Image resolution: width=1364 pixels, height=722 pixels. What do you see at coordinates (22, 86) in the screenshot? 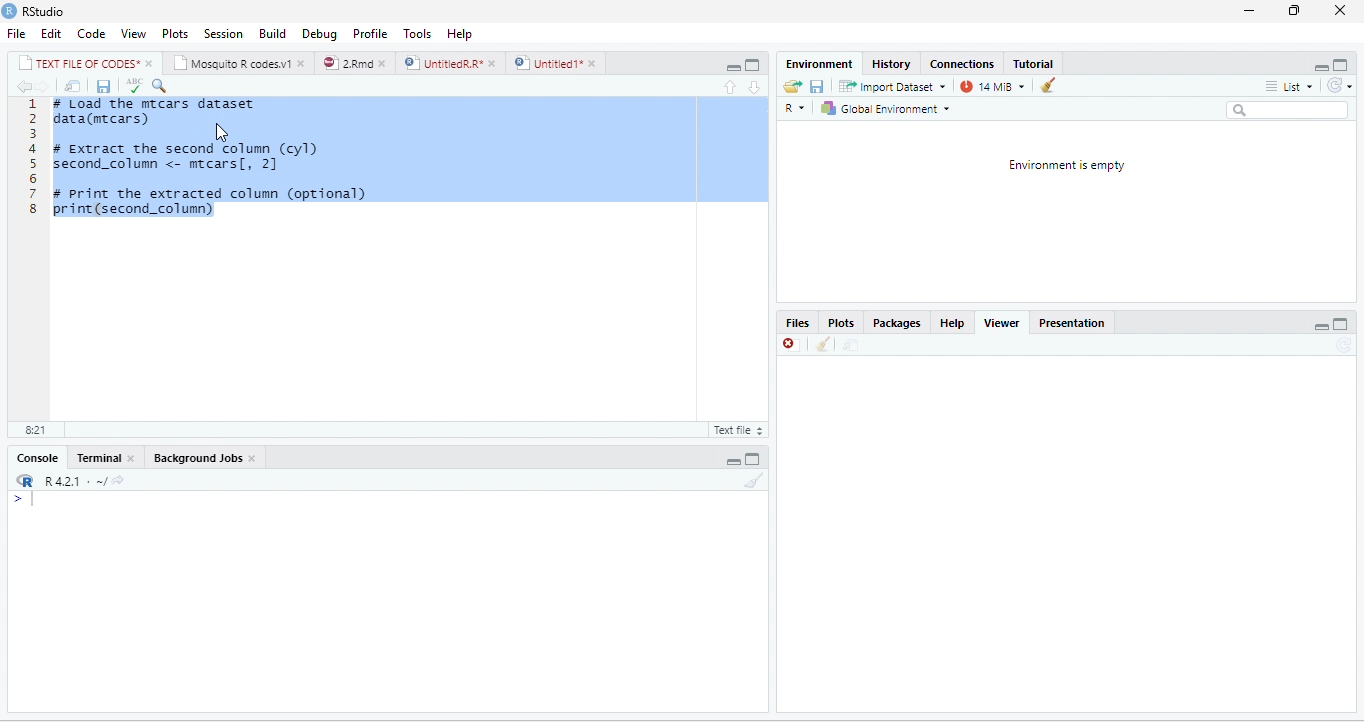
I see `previous ` at bounding box center [22, 86].